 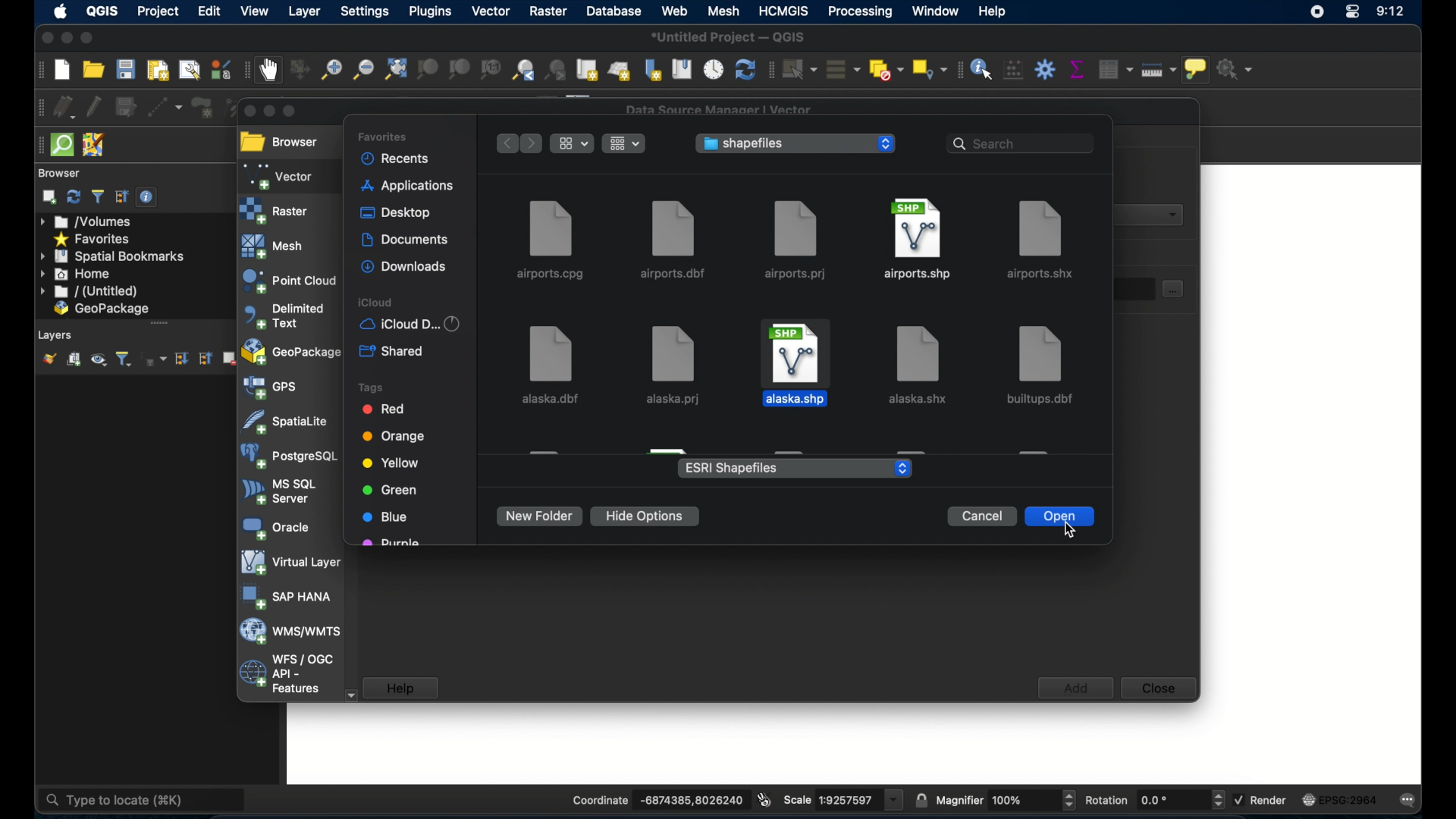 I want to click on save project, so click(x=127, y=71).